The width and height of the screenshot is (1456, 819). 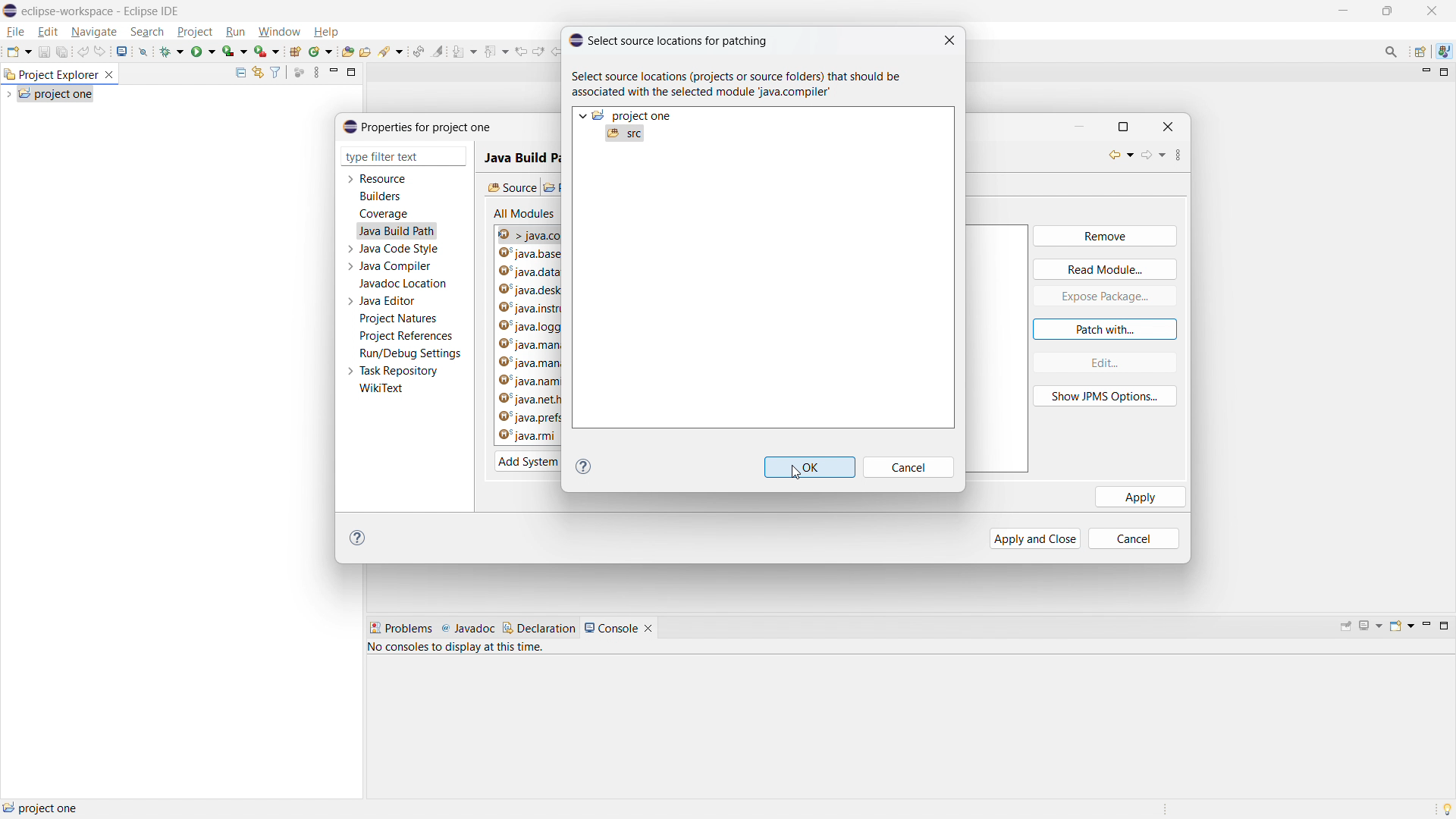 What do you see at coordinates (93, 31) in the screenshot?
I see `navigate` at bounding box center [93, 31].